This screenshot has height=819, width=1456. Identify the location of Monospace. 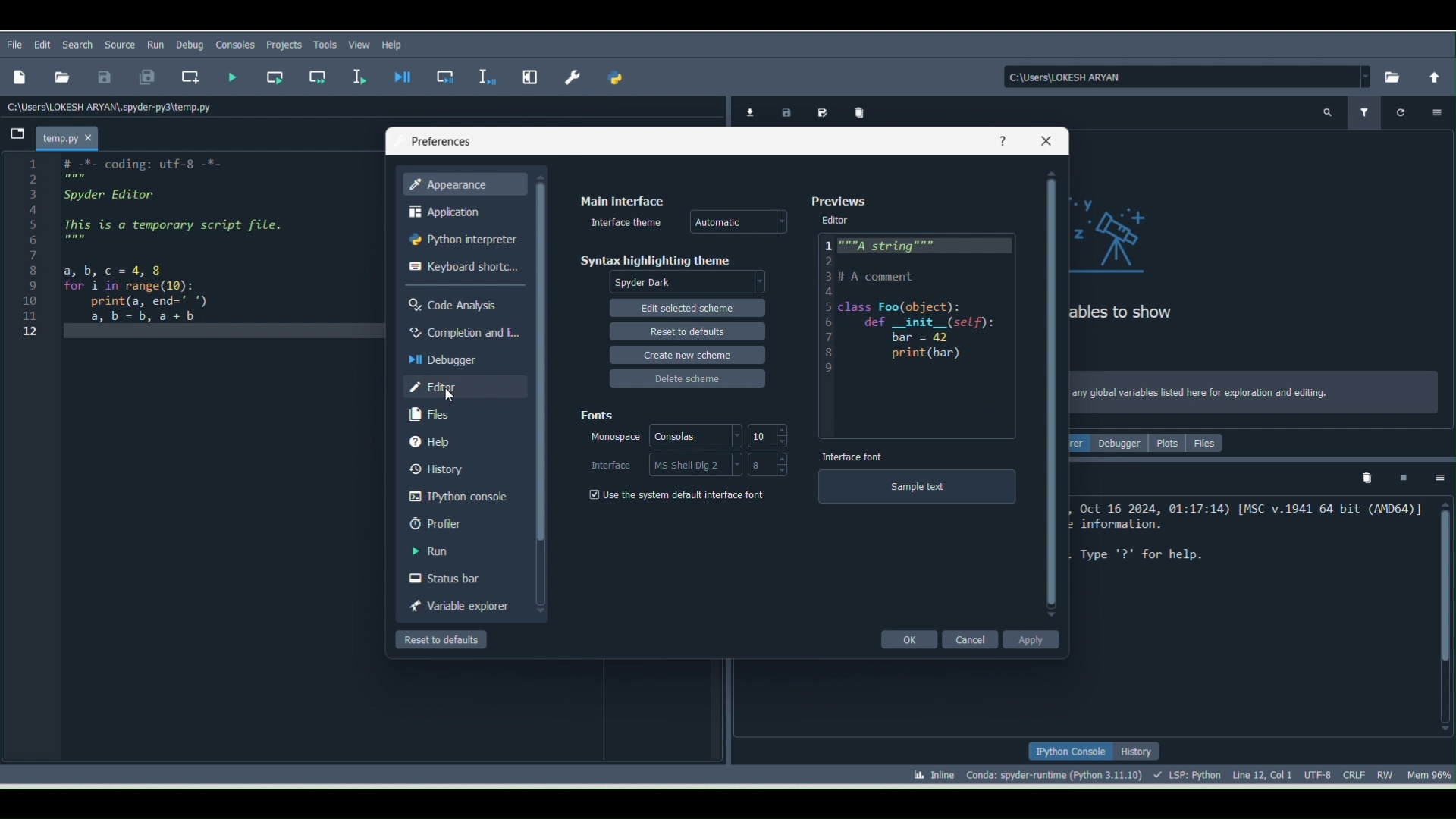
(613, 436).